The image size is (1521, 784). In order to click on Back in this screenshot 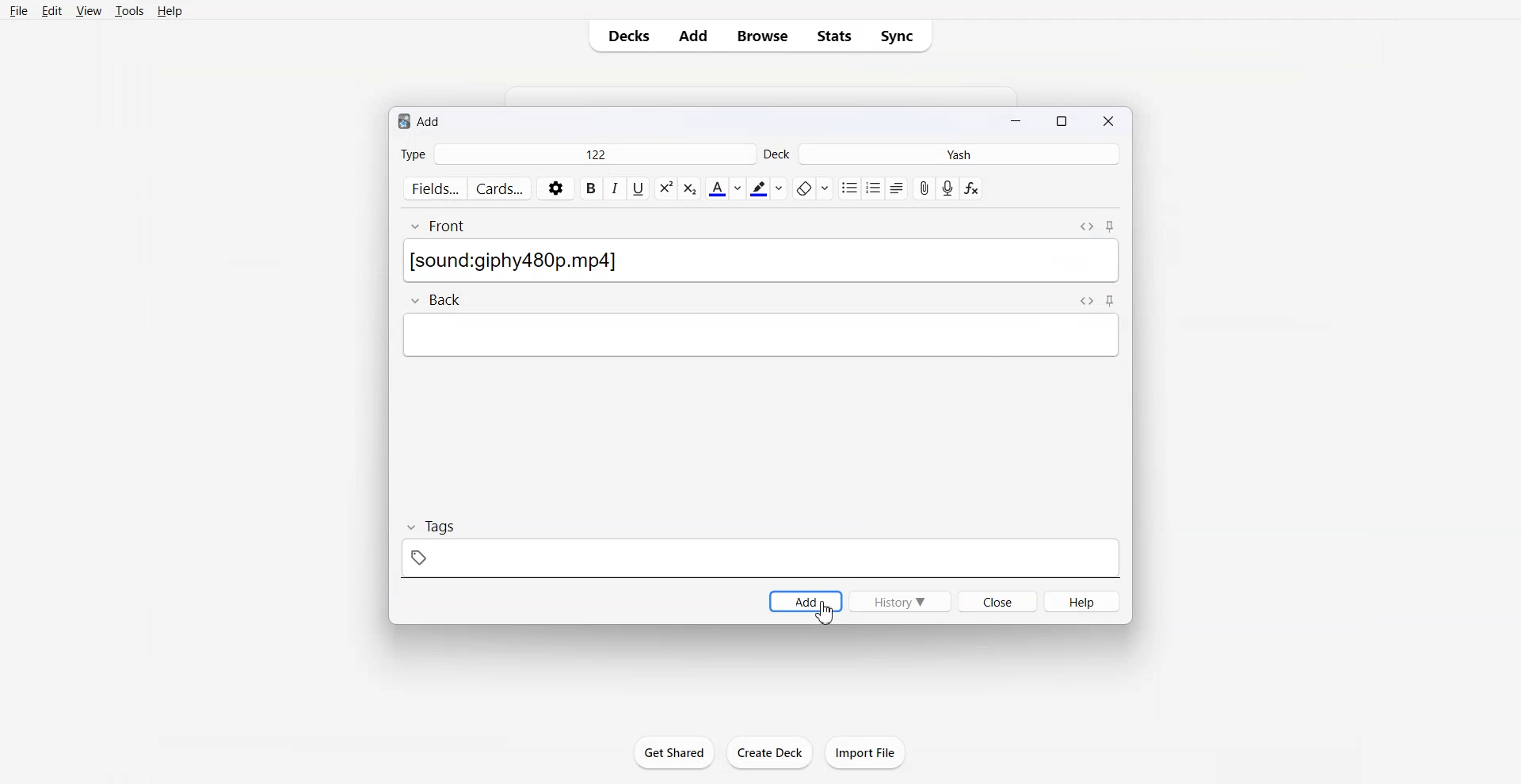, I will do `click(435, 300)`.